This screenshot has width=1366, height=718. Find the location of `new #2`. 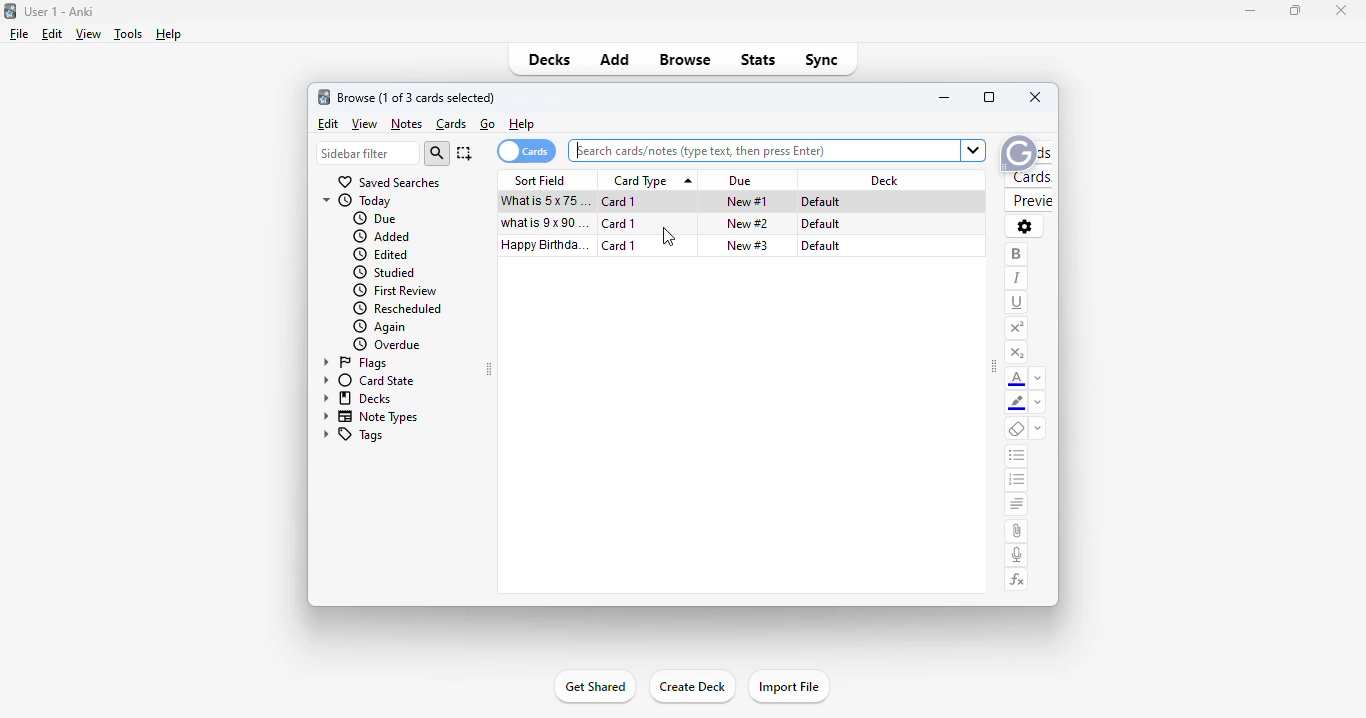

new #2 is located at coordinates (750, 223).